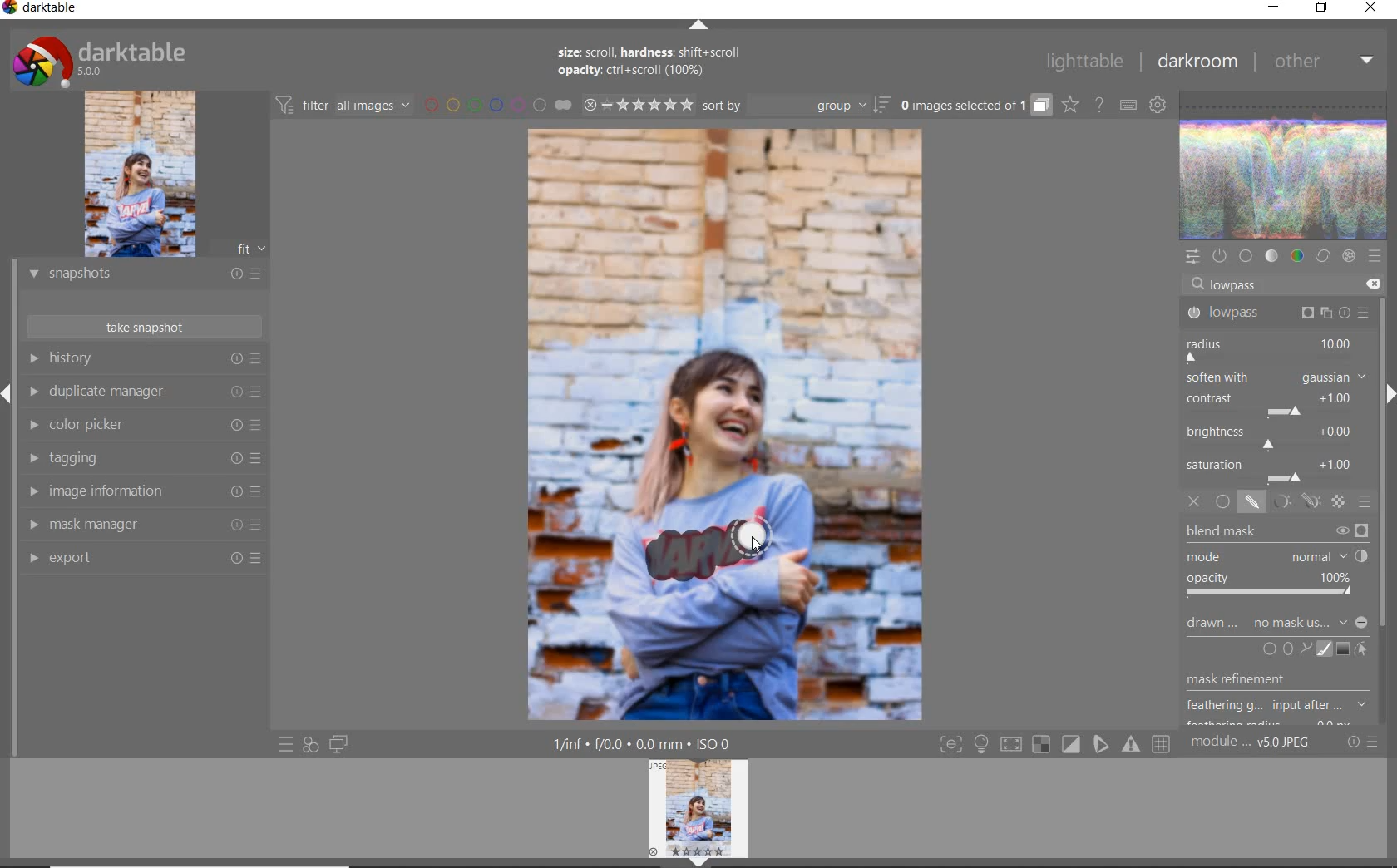 Image resolution: width=1397 pixels, height=868 pixels. I want to click on show global preferences, so click(1158, 106).